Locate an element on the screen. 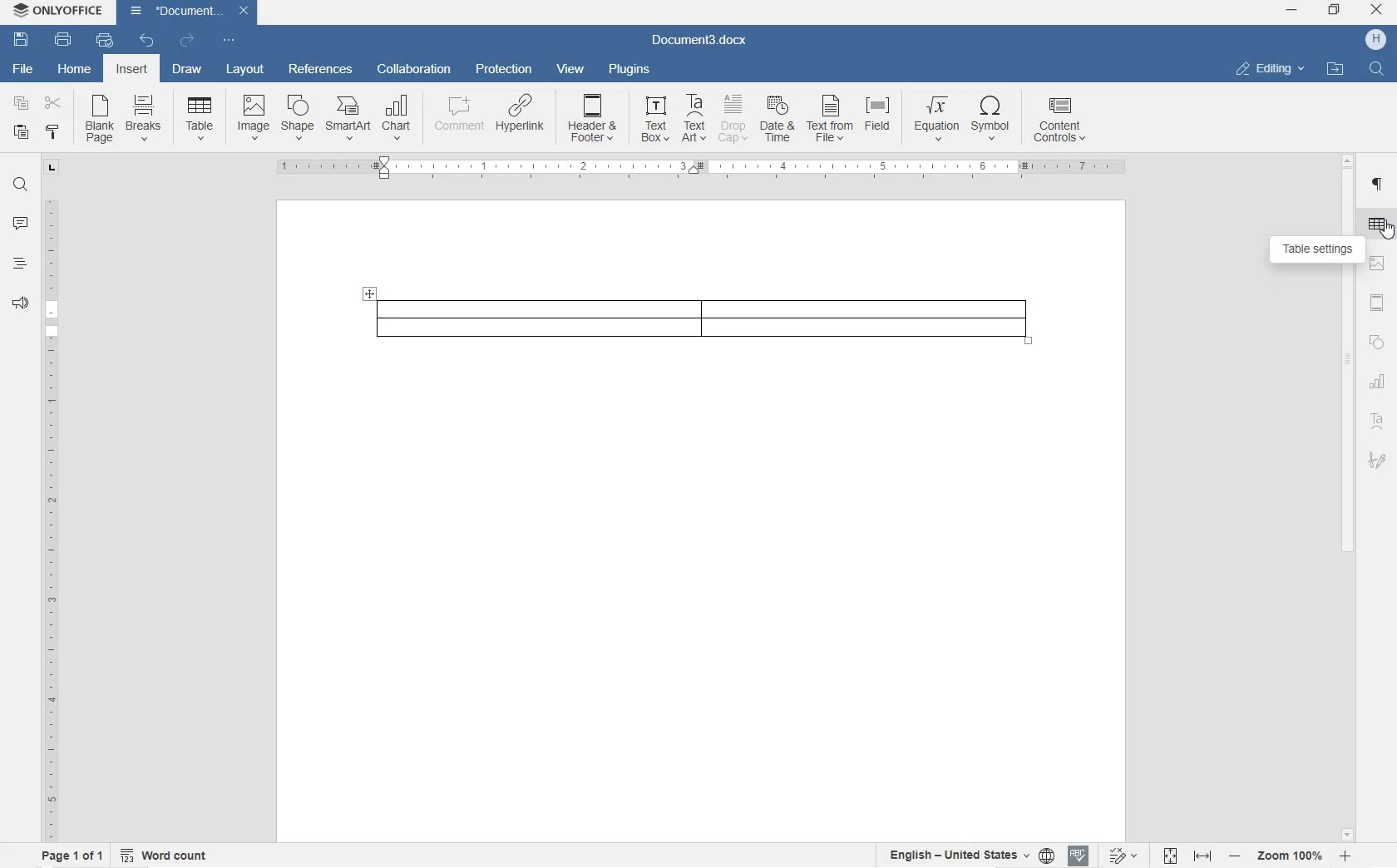 The width and height of the screenshot is (1397, 868). Blank Page is located at coordinates (100, 120).